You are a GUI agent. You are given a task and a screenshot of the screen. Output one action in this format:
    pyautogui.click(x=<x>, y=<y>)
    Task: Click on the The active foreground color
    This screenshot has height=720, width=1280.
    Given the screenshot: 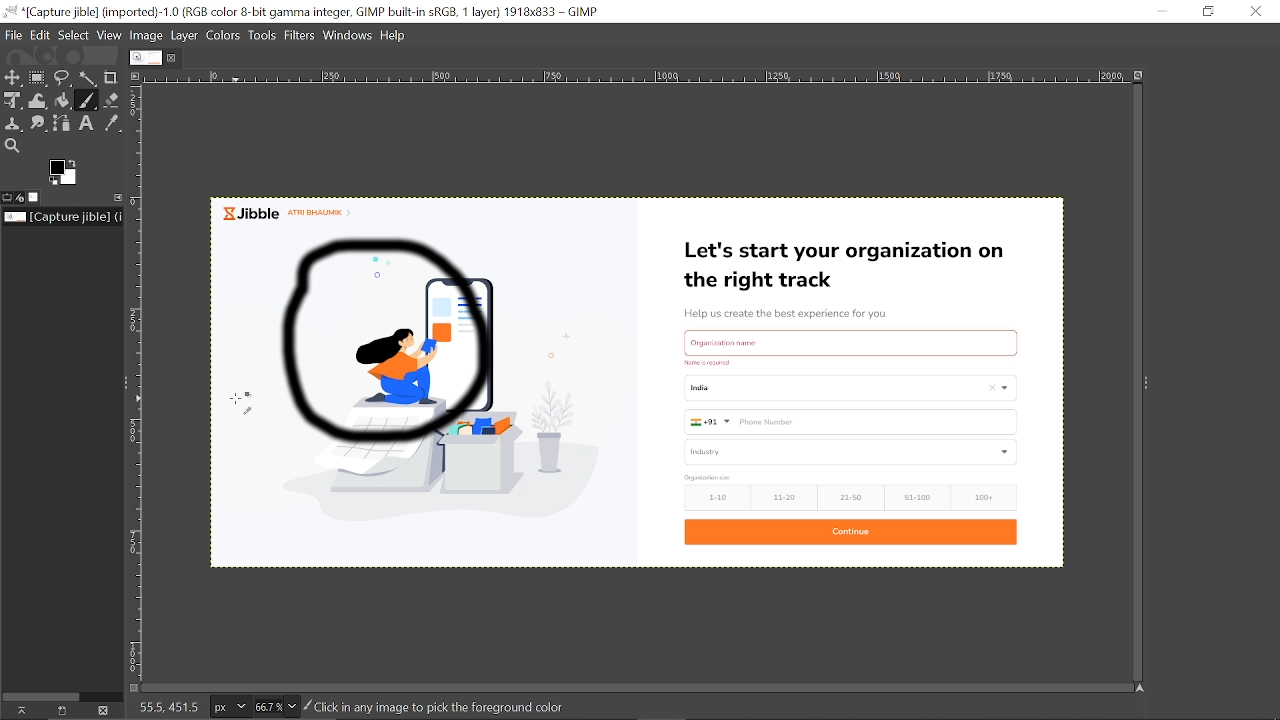 What is the action you would take?
    pyautogui.click(x=63, y=172)
    